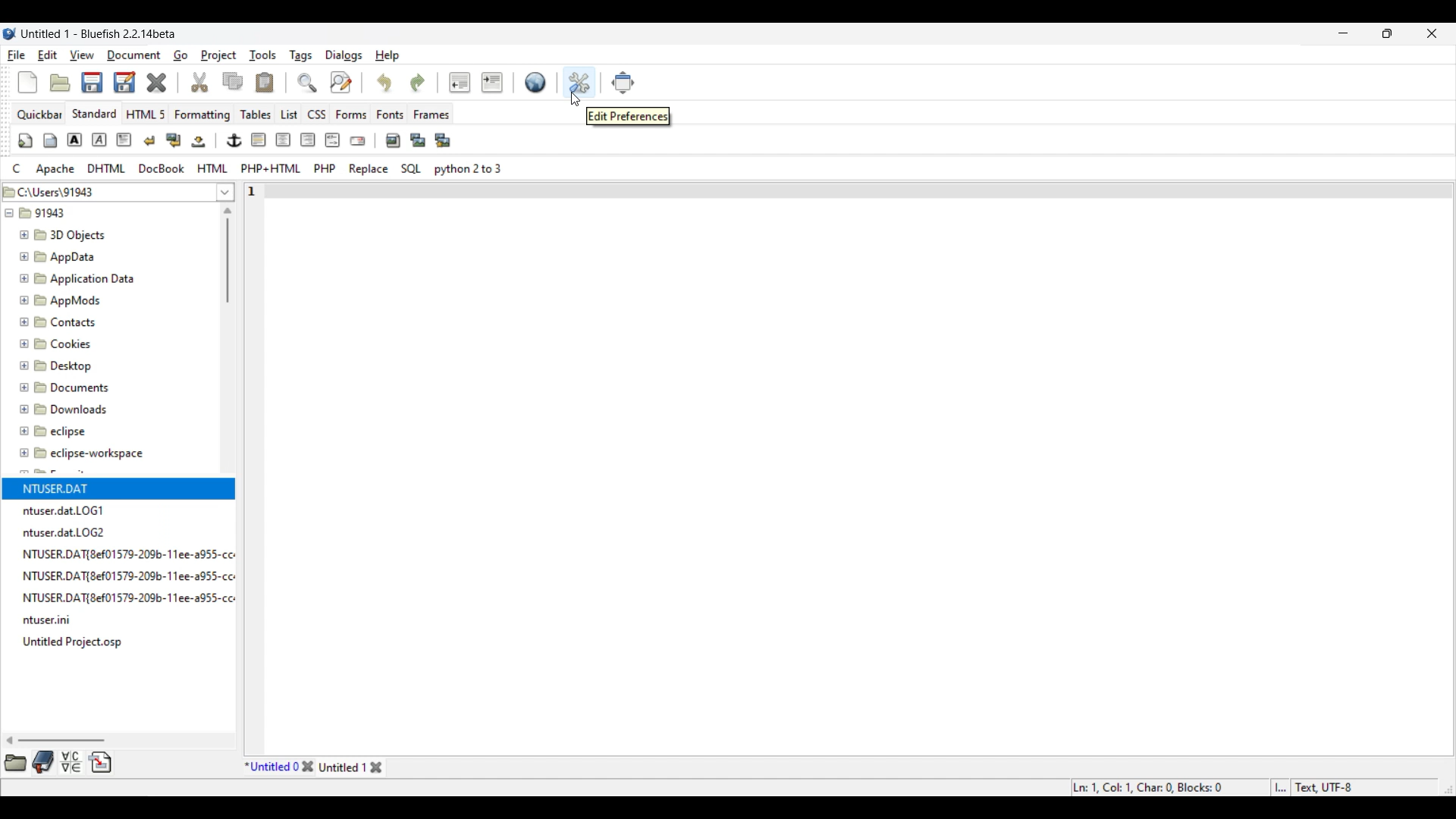 This screenshot has height=819, width=1456. Describe the element at coordinates (60, 83) in the screenshot. I see `Open` at that location.